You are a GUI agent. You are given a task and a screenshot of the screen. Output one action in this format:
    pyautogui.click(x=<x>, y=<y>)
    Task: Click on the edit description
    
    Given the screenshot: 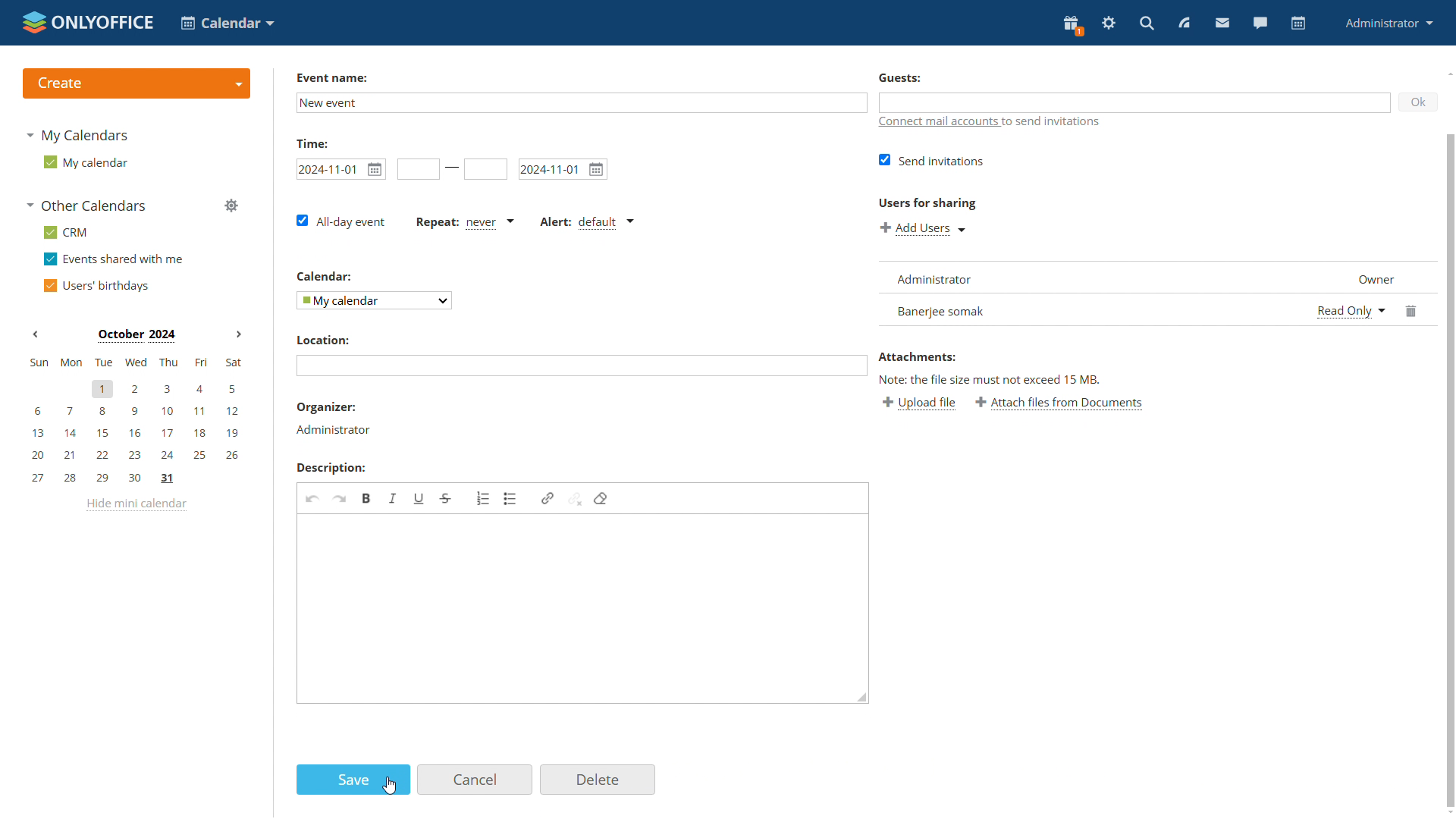 What is the action you would take?
    pyautogui.click(x=582, y=610)
    